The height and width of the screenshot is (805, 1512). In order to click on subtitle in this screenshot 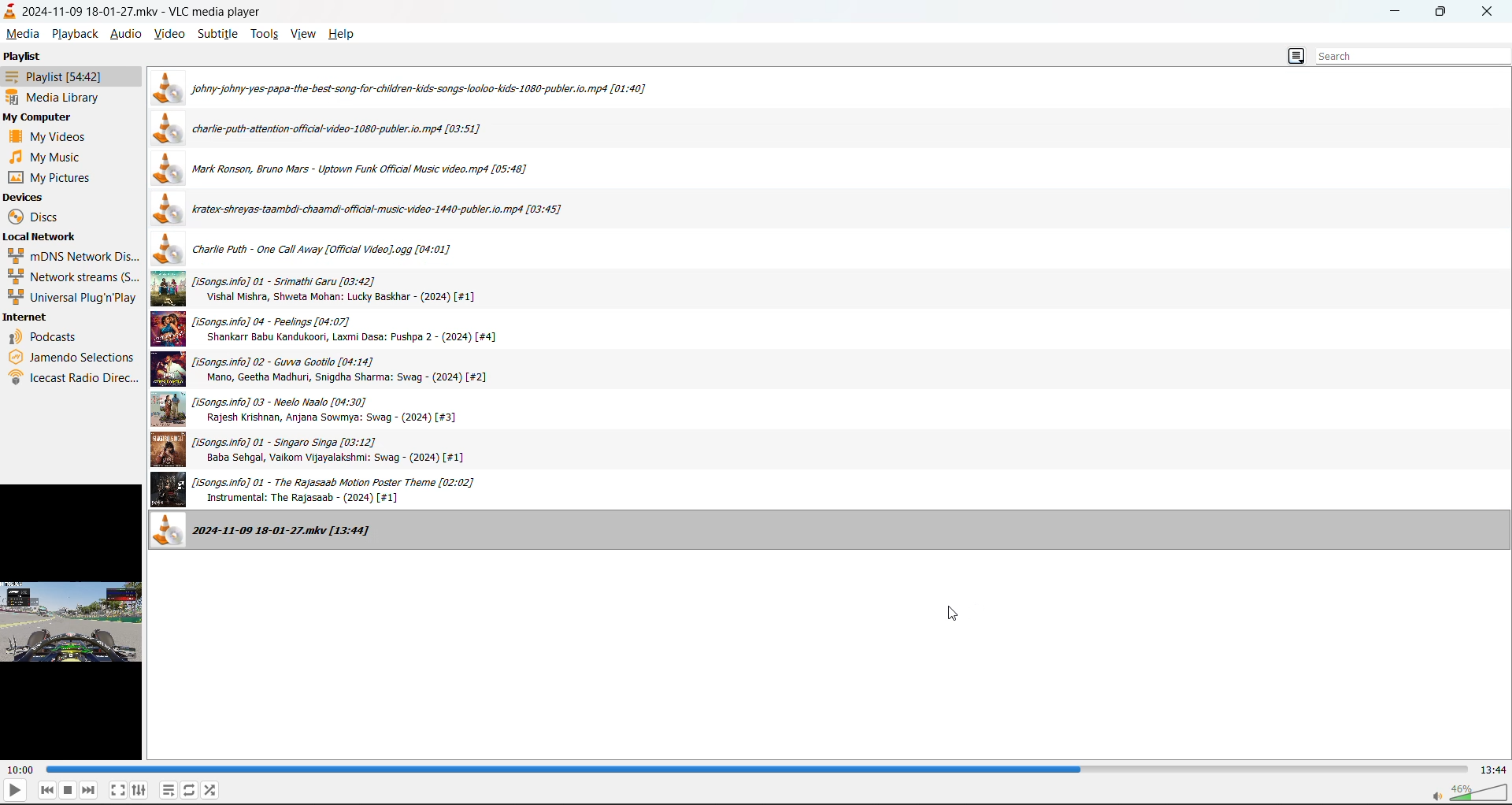, I will do `click(218, 33)`.